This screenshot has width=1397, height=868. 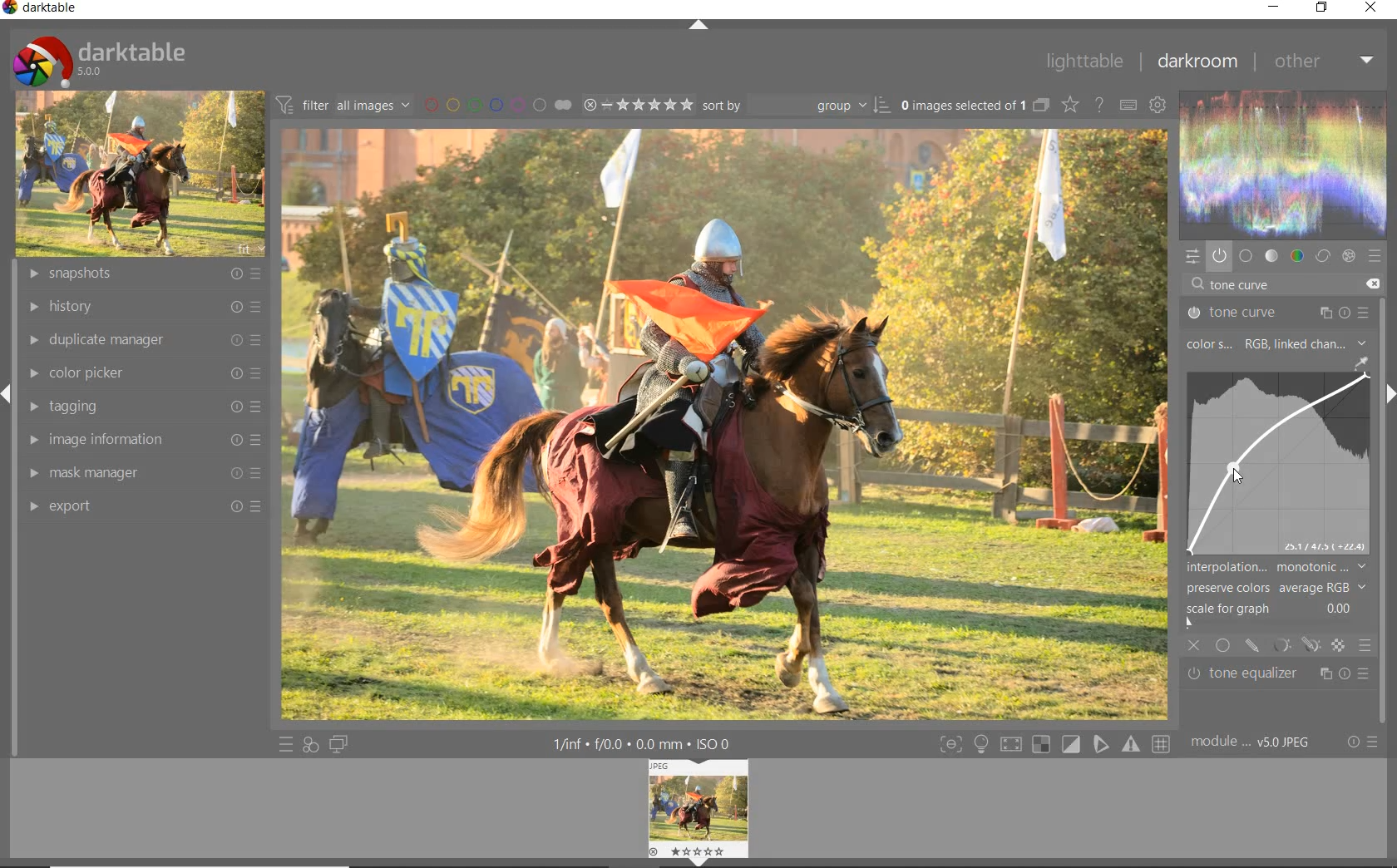 What do you see at coordinates (1219, 257) in the screenshot?
I see `show only active modules` at bounding box center [1219, 257].